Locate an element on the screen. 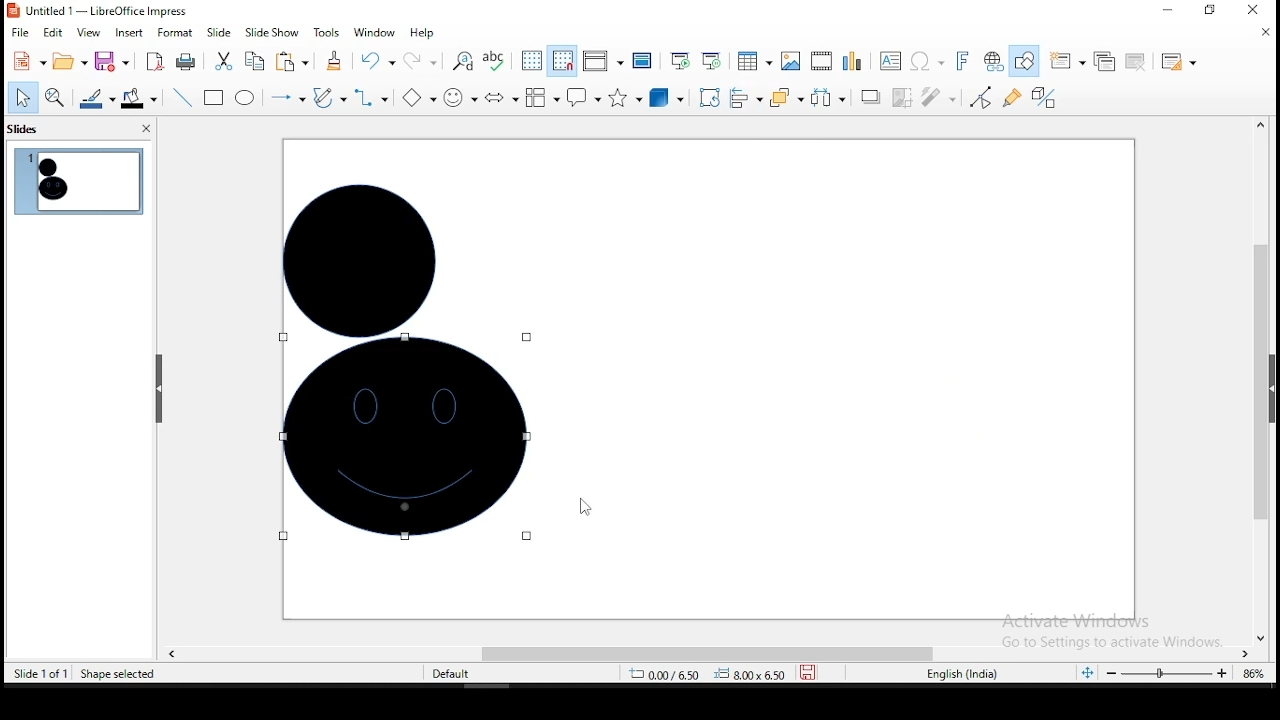 The image size is (1280, 720). curves and polygons is located at coordinates (330, 96).